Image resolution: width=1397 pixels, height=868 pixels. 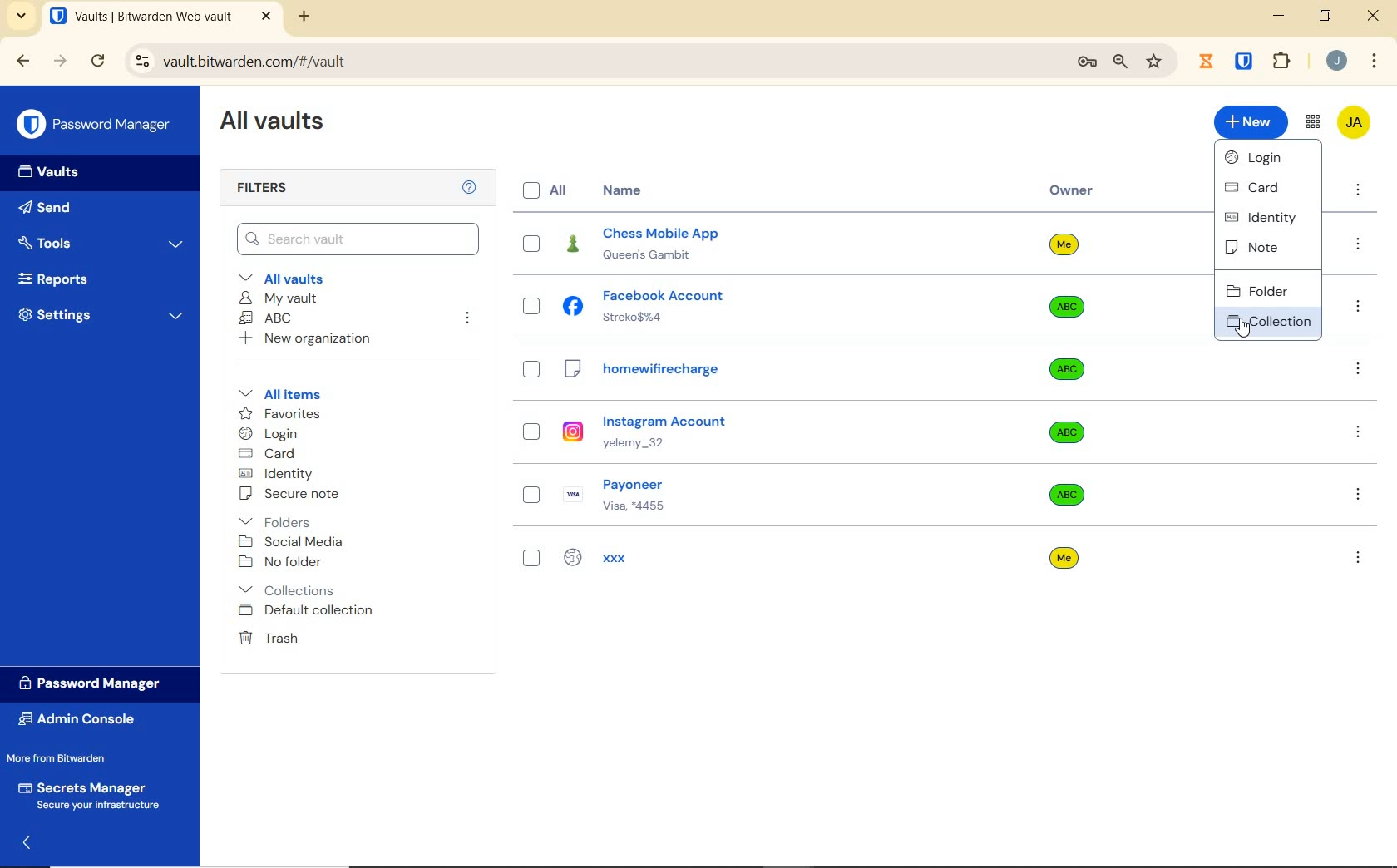 What do you see at coordinates (61, 62) in the screenshot?
I see `forward` at bounding box center [61, 62].